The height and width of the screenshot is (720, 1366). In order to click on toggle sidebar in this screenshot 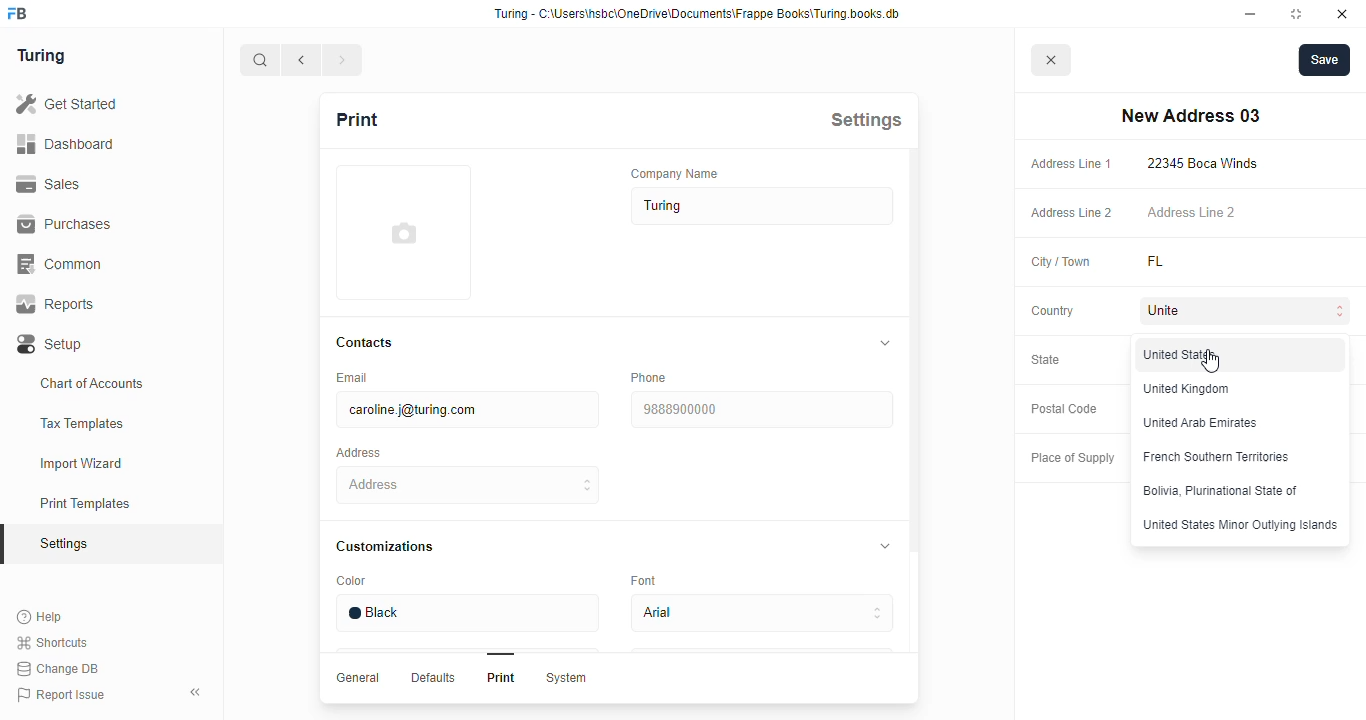, I will do `click(198, 691)`.